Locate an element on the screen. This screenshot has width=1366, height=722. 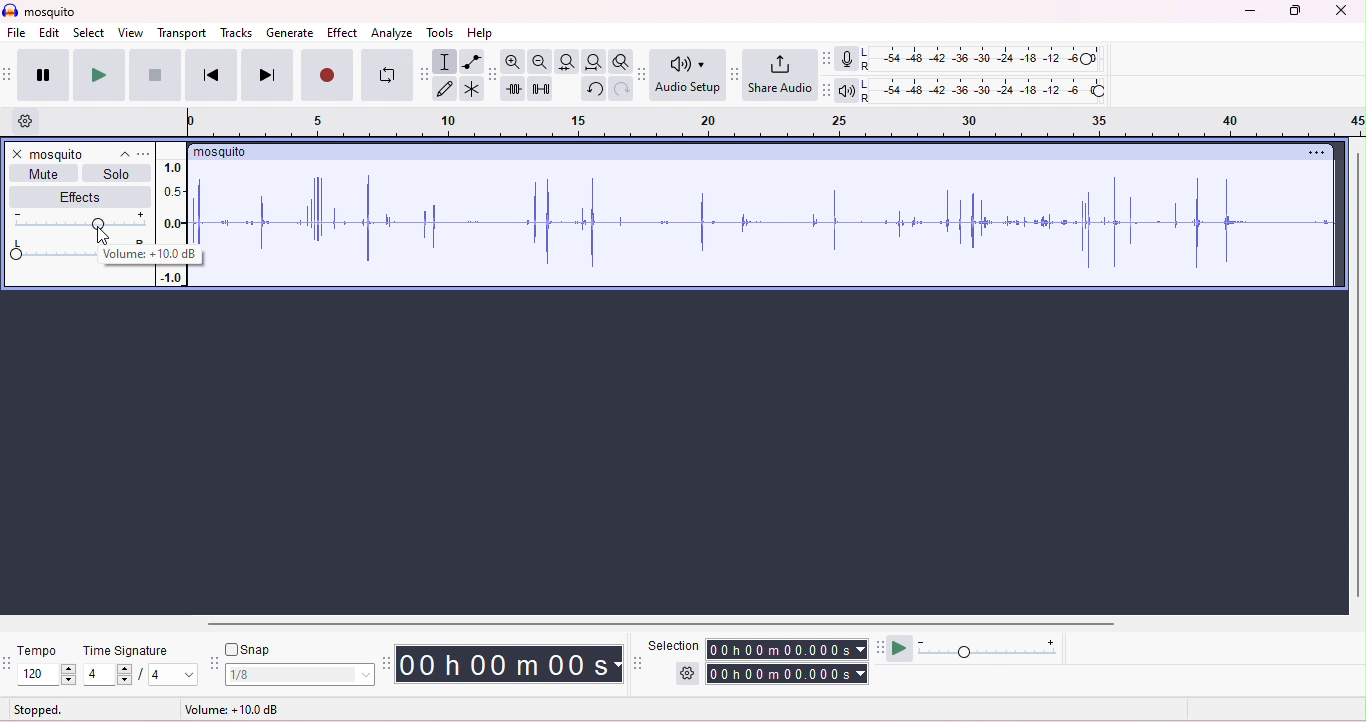
timeline is located at coordinates (774, 123).